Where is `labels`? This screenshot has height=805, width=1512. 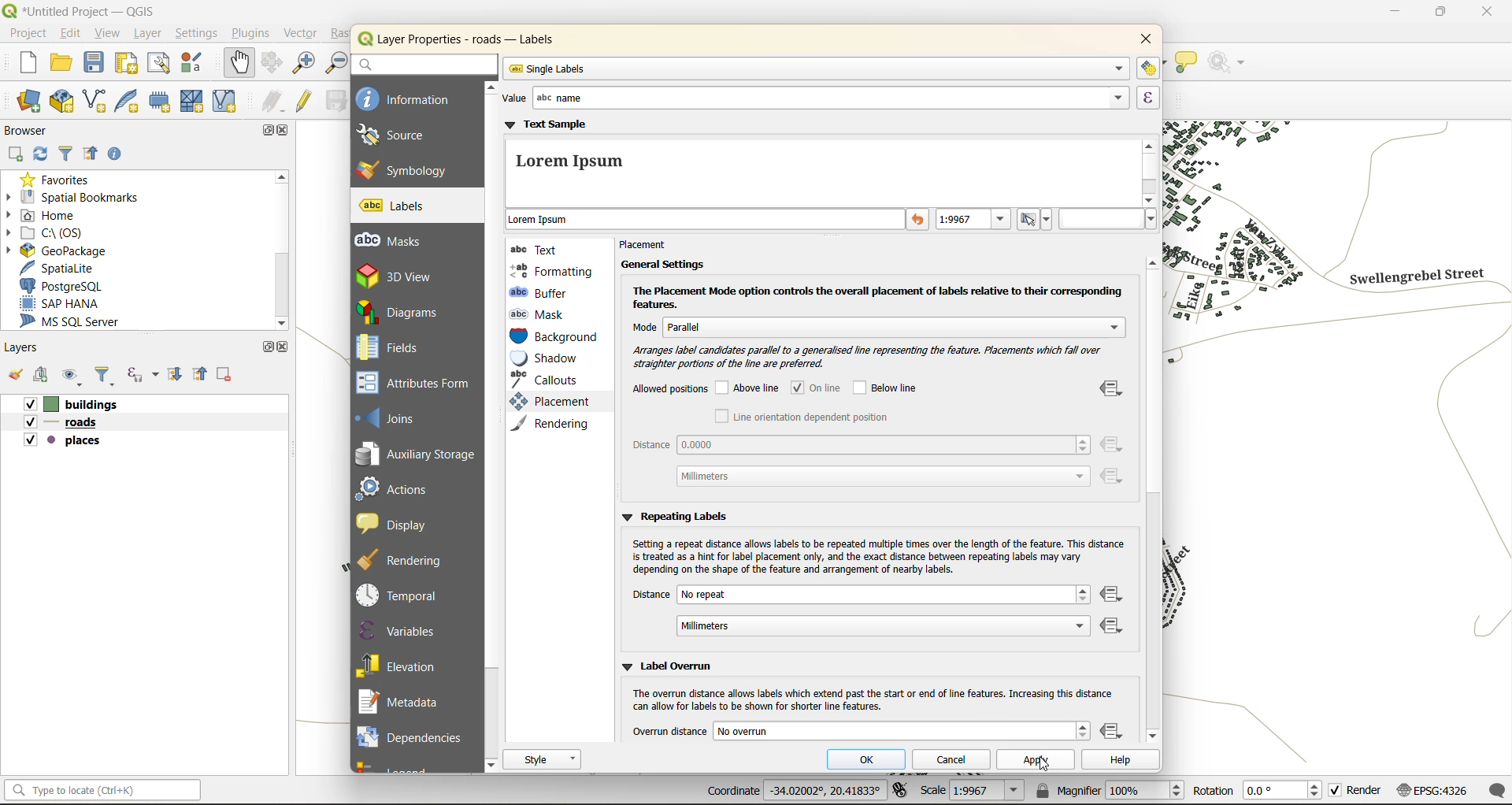
labels is located at coordinates (395, 206).